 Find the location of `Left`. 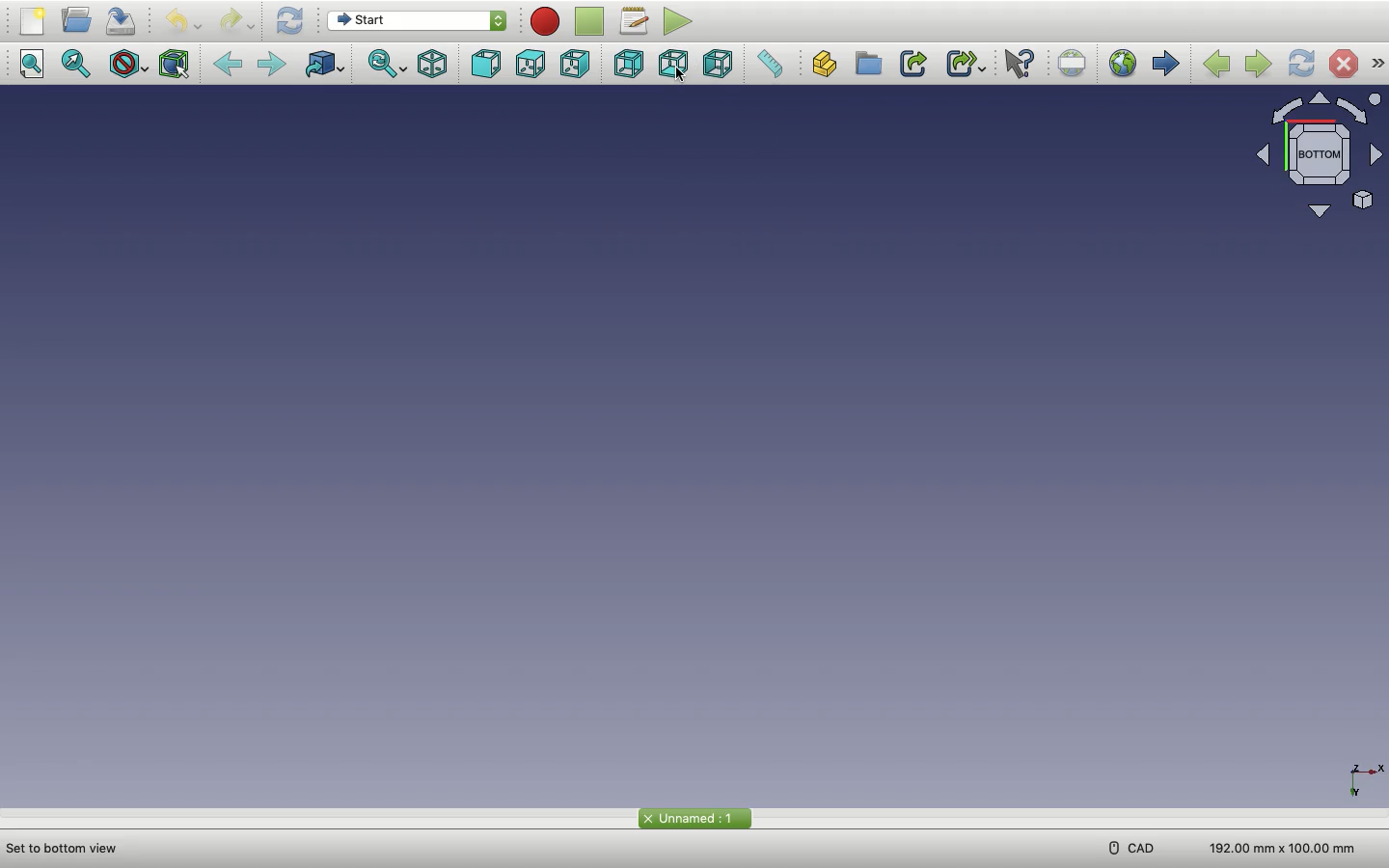

Left is located at coordinates (720, 66).